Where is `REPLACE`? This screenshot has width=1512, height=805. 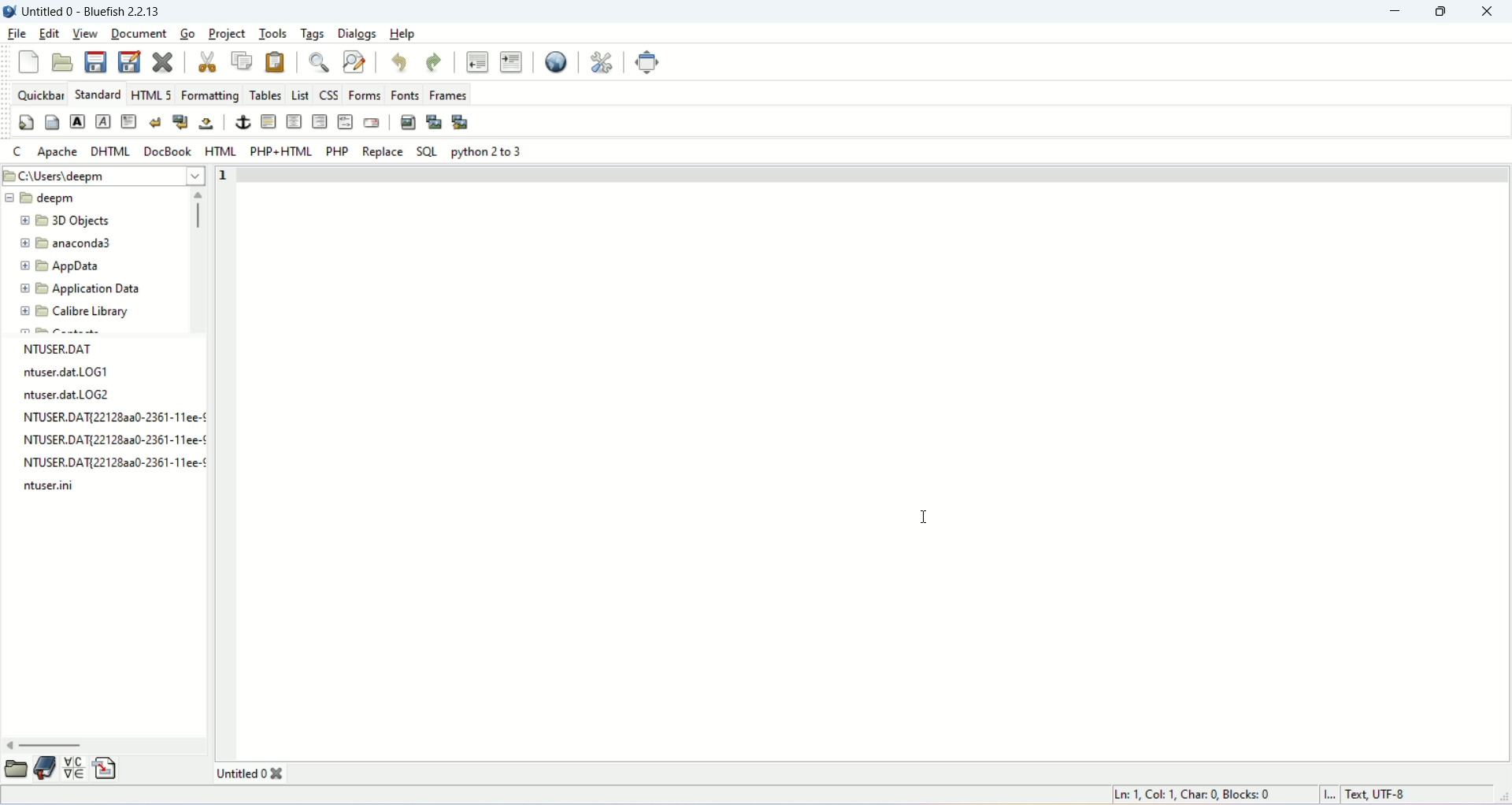
REPLACE is located at coordinates (382, 151).